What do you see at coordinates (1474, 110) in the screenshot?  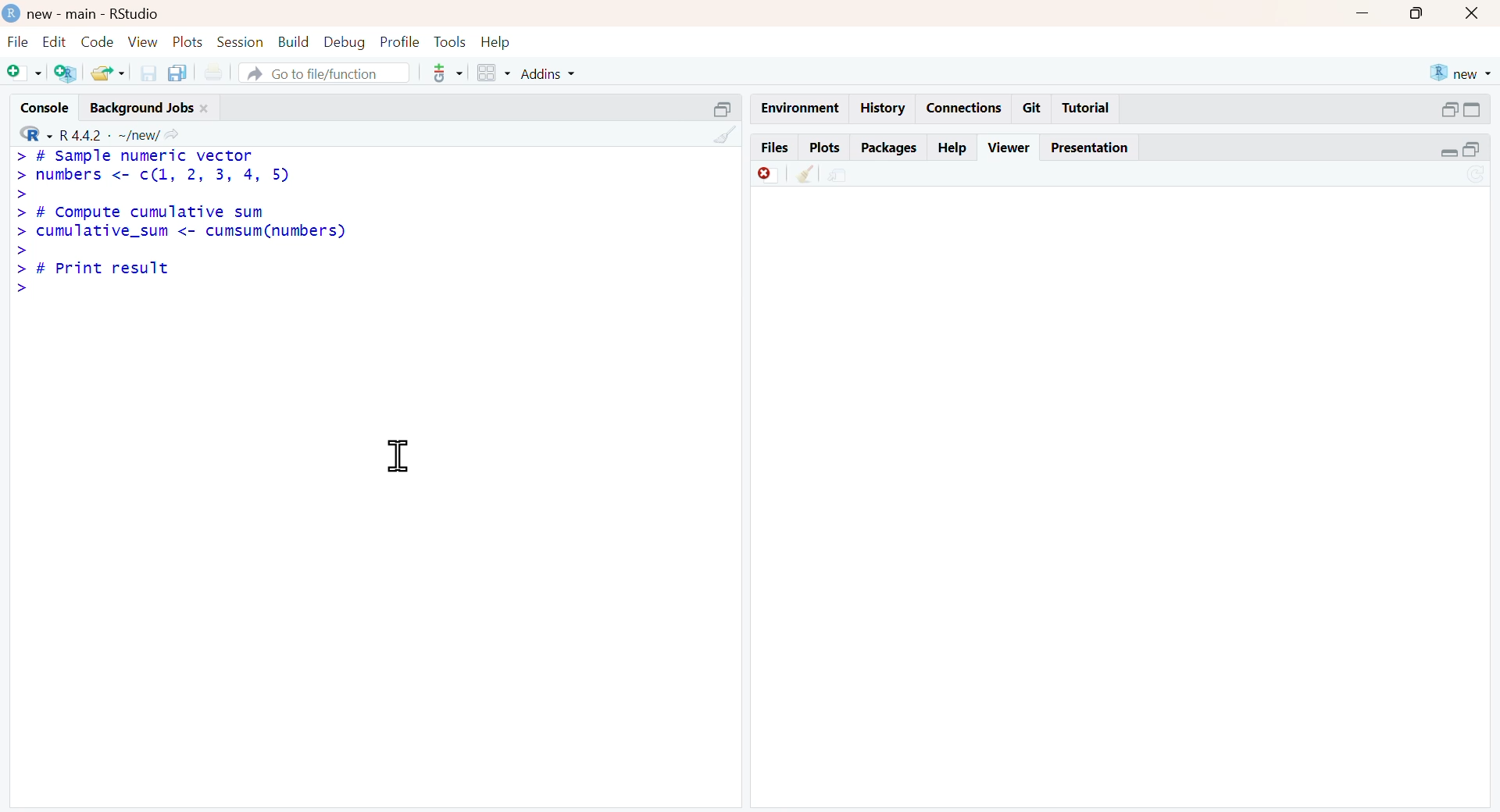 I see `expand/collapse` at bounding box center [1474, 110].